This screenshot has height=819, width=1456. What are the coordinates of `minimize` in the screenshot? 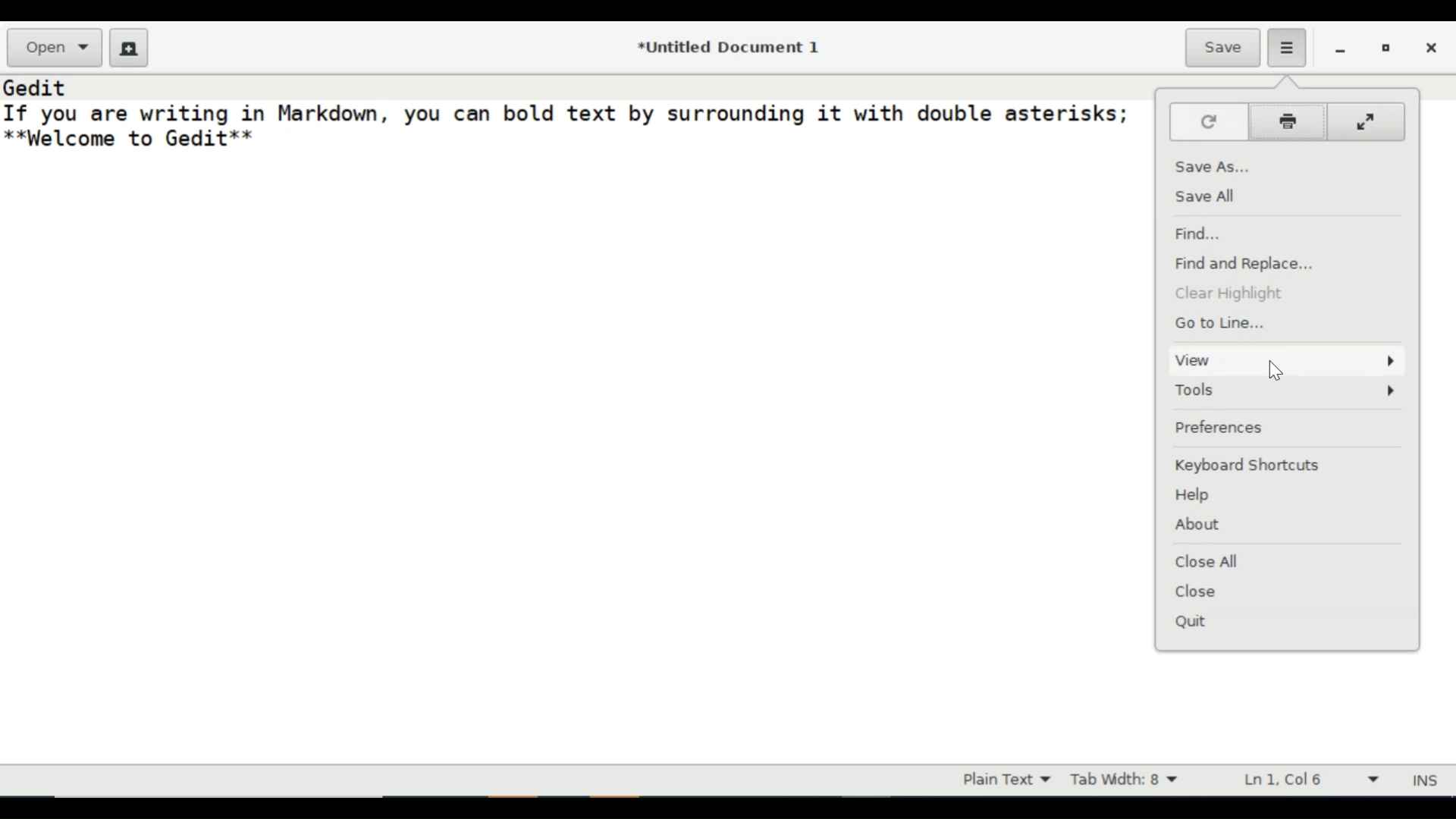 It's located at (1345, 48).